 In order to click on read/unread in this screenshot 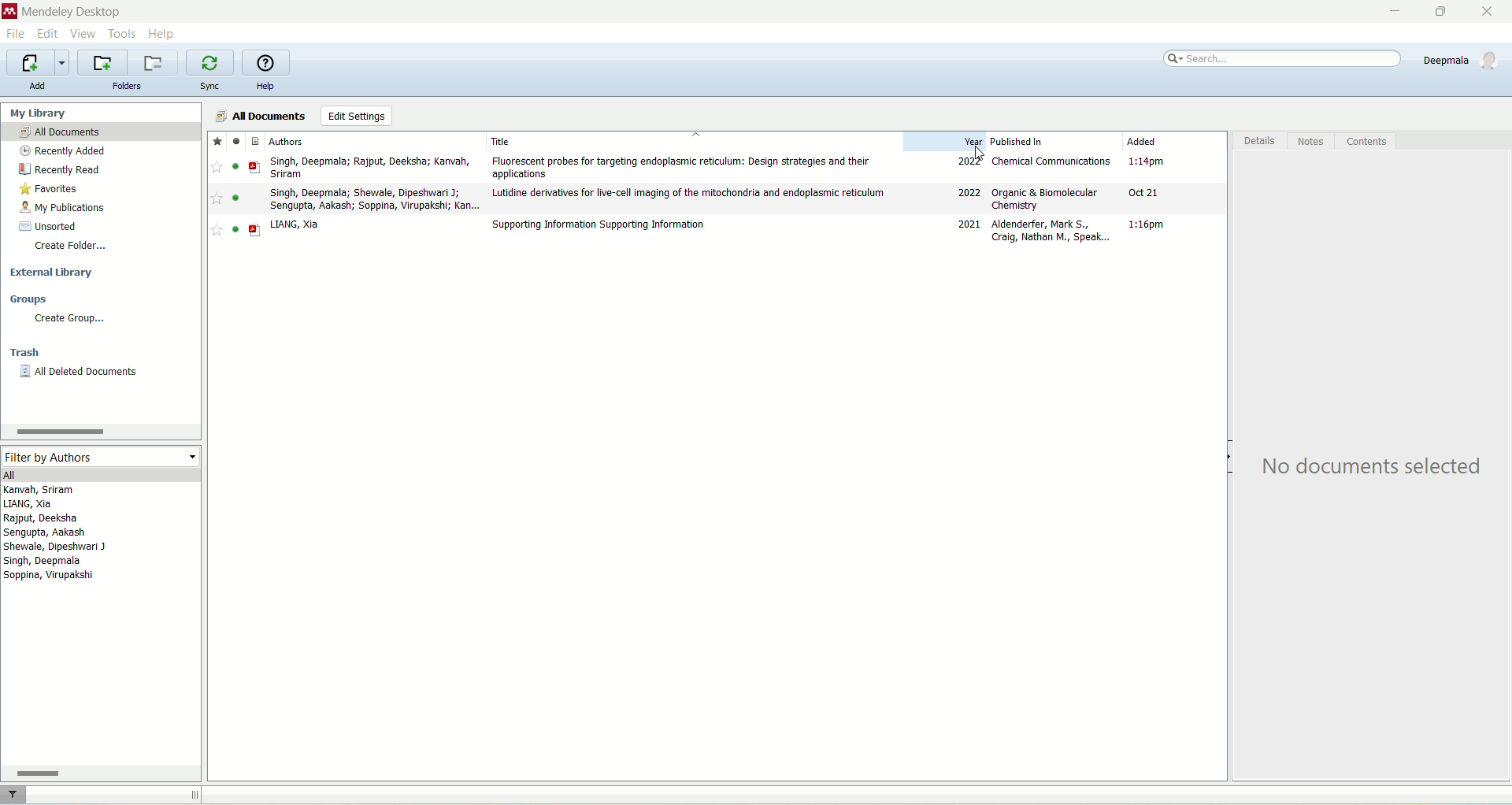, I will do `click(239, 199)`.